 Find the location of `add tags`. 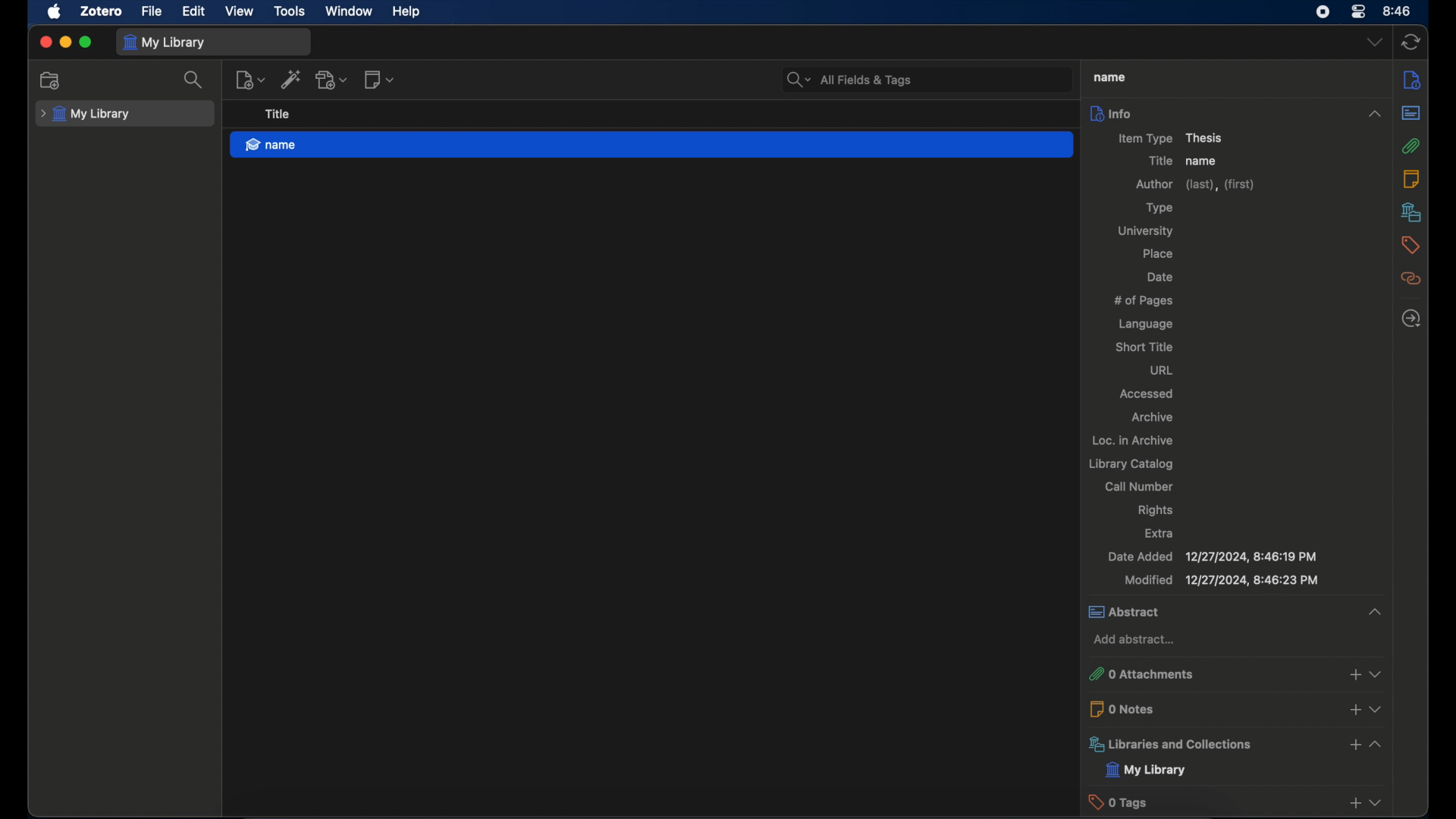

add tags is located at coordinates (1353, 805).